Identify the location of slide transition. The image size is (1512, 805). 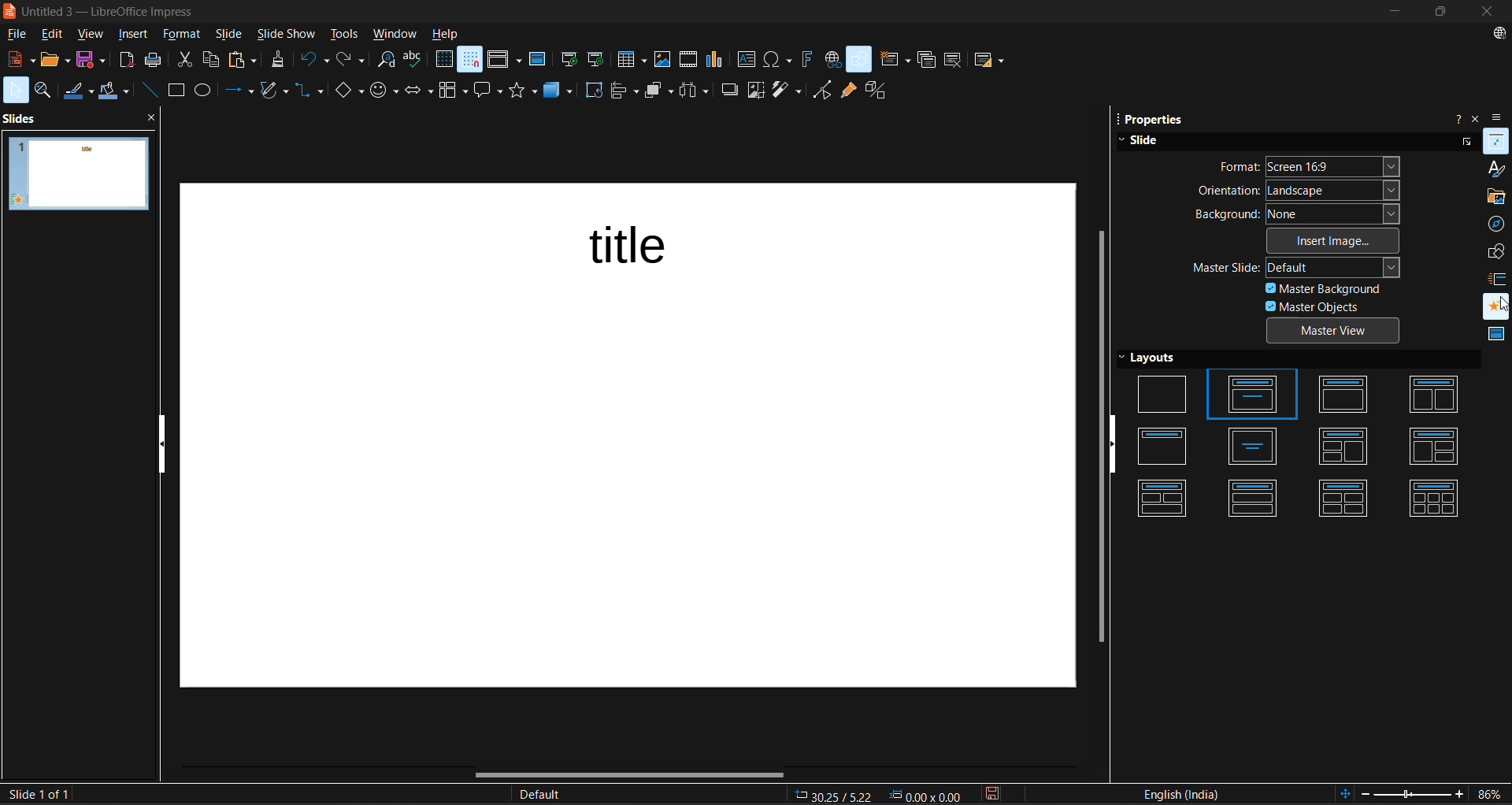
(1499, 278).